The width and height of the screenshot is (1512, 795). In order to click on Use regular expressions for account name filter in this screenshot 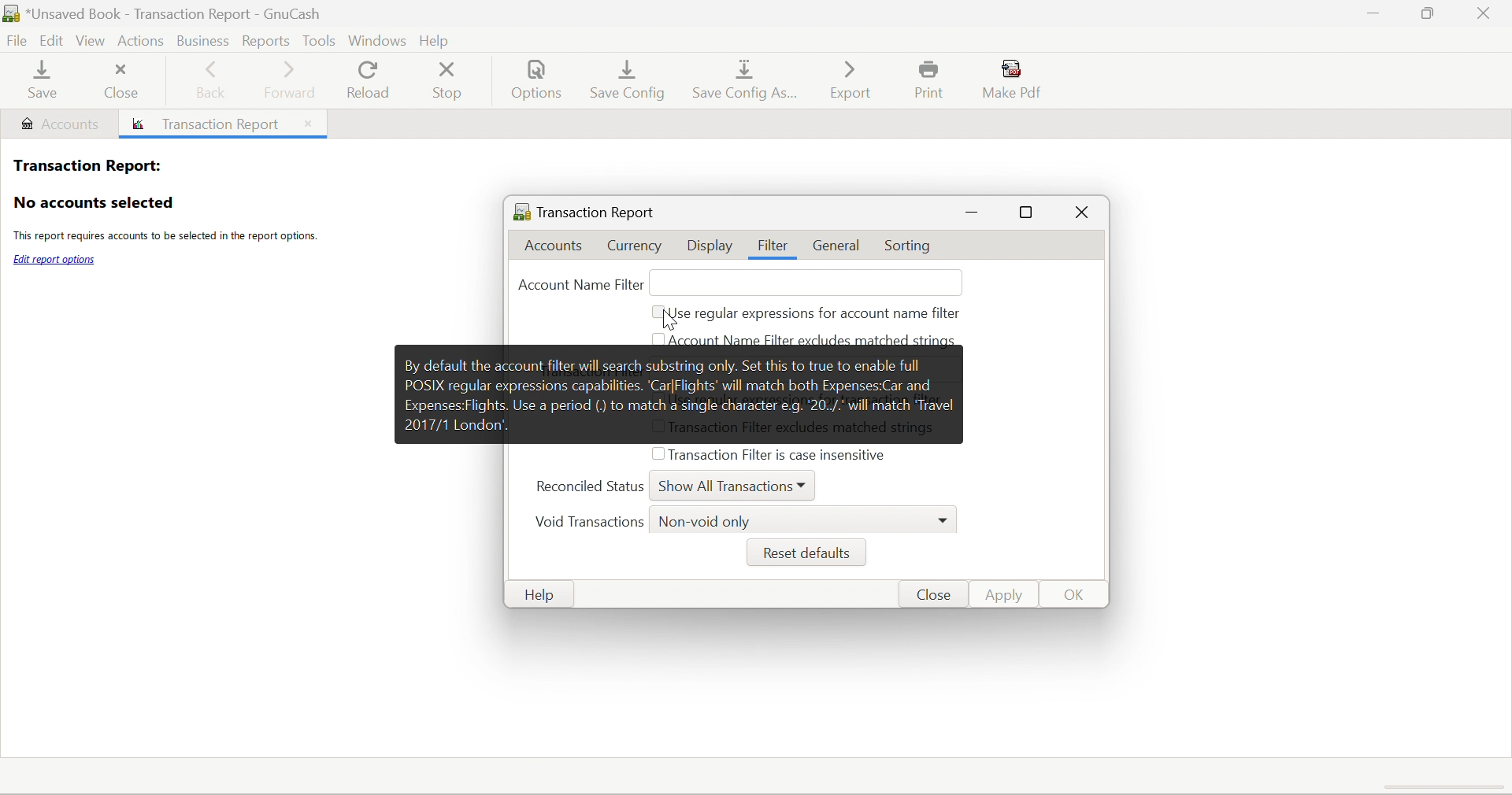, I will do `click(817, 315)`.